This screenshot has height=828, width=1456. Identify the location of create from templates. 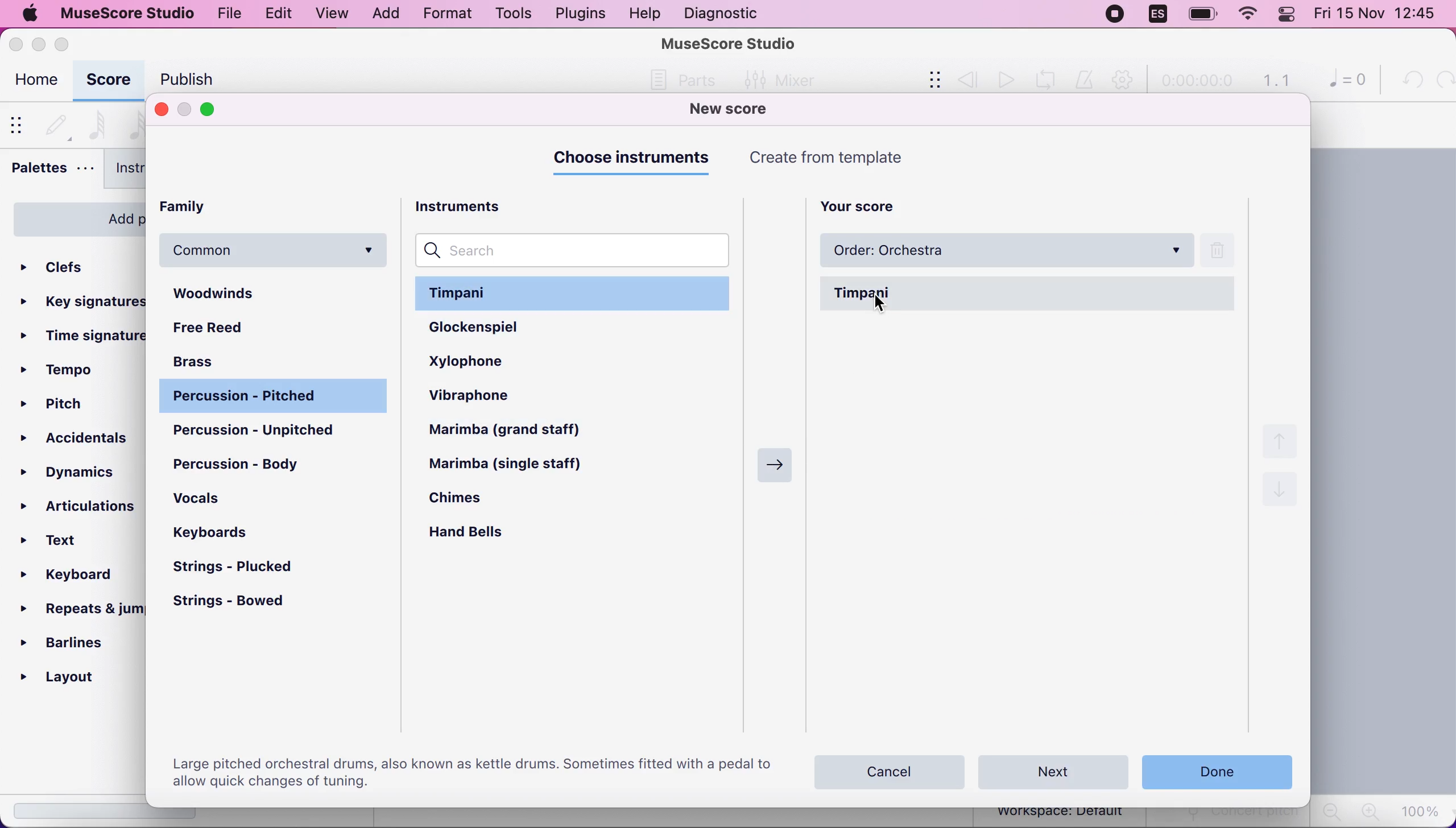
(852, 158).